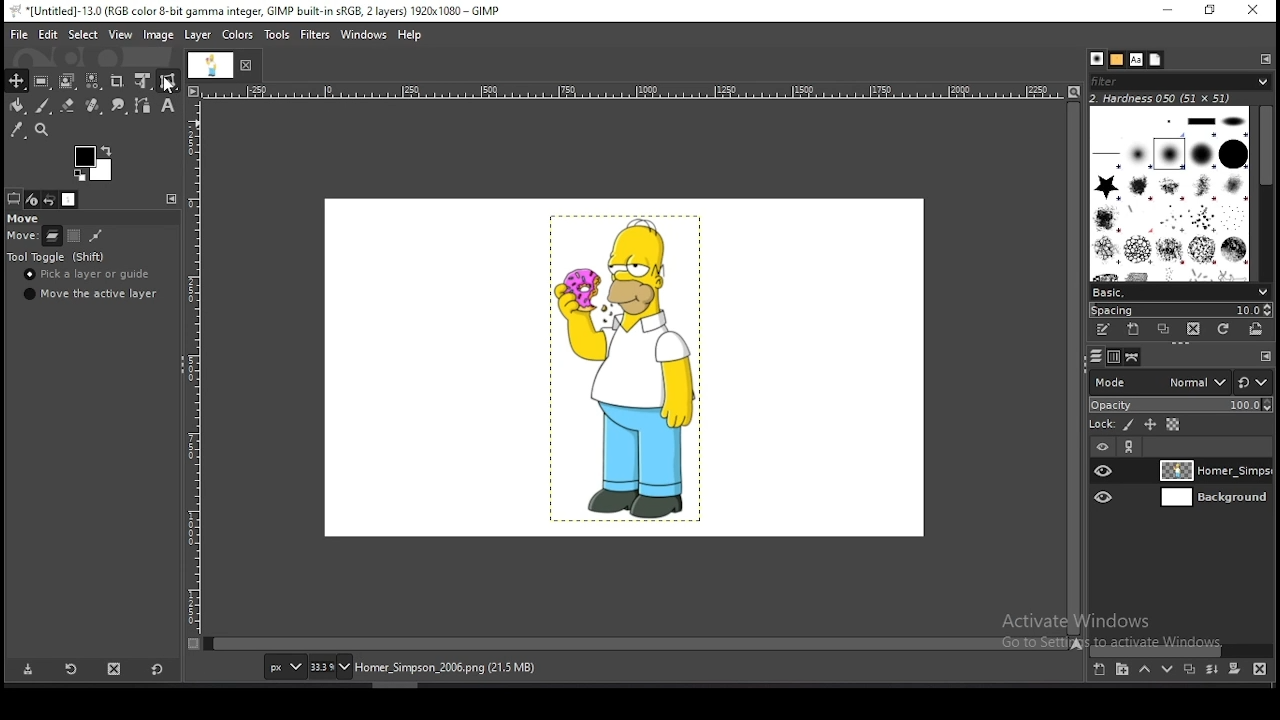 The height and width of the screenshot is (720, 1280). Describe the element at coordinates (193, 372) in the screenshot. I see `scale` at that location.